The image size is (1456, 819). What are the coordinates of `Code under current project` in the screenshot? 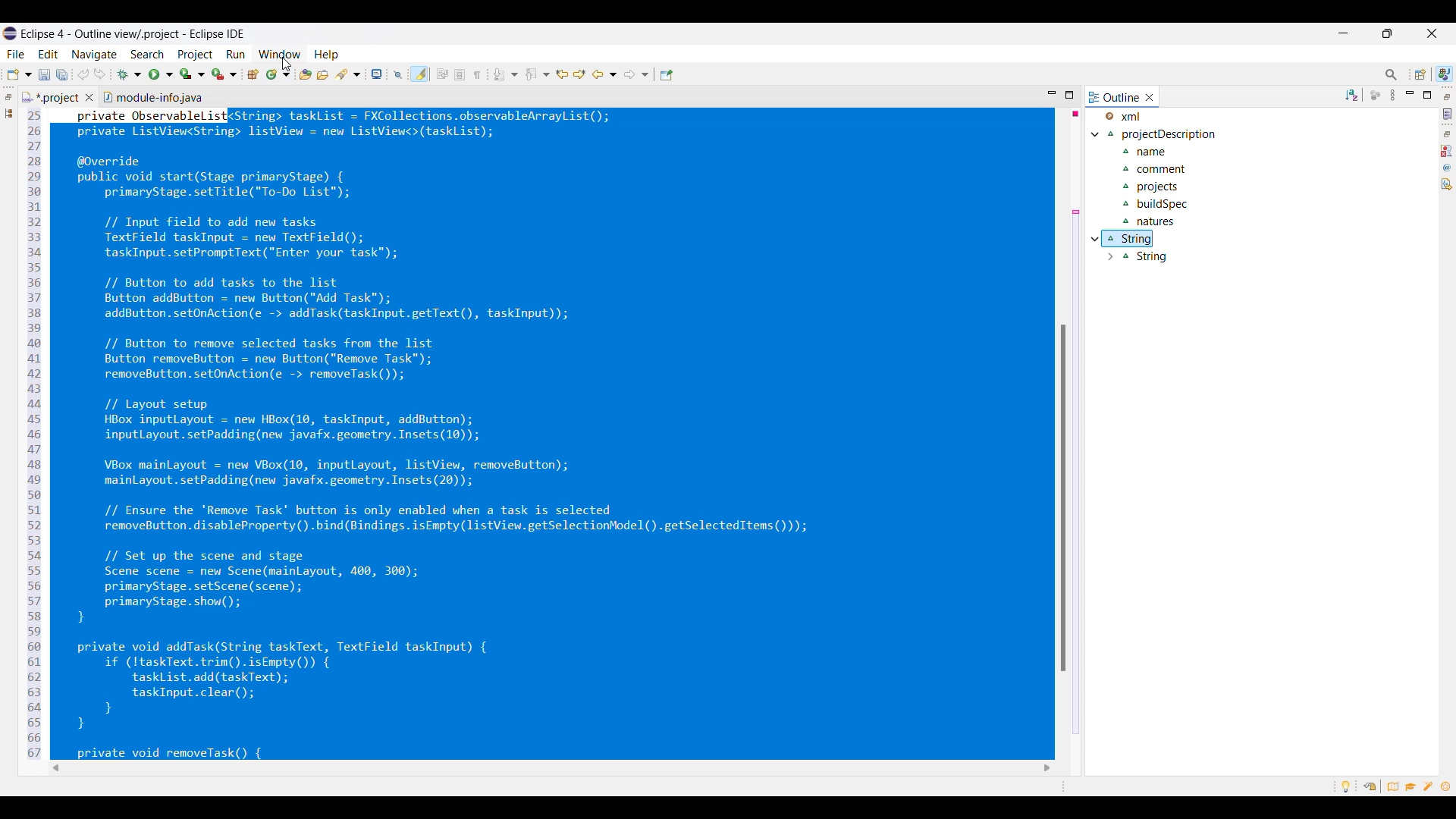 It's located at (1169, 196).